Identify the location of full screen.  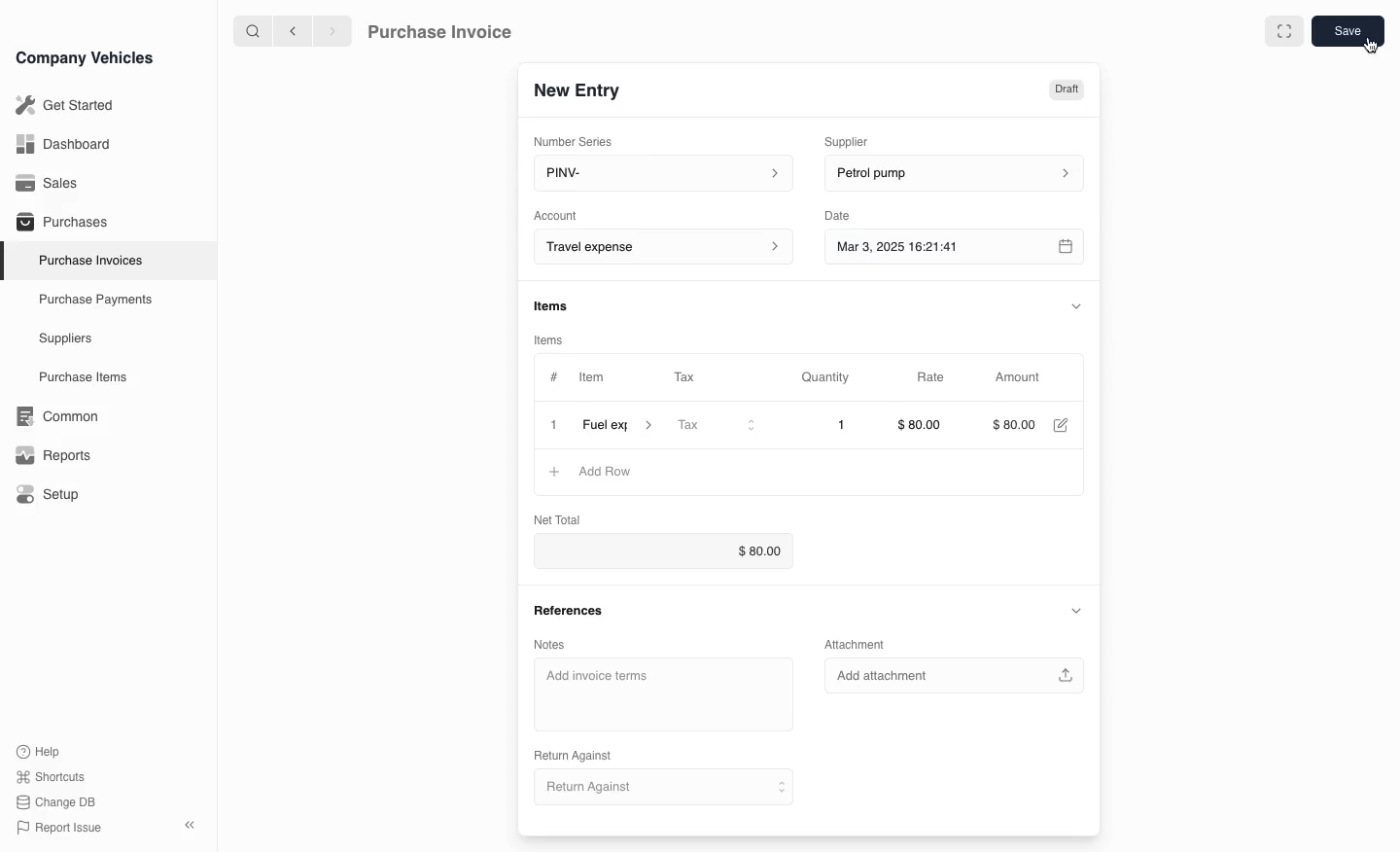
(1283, 31).